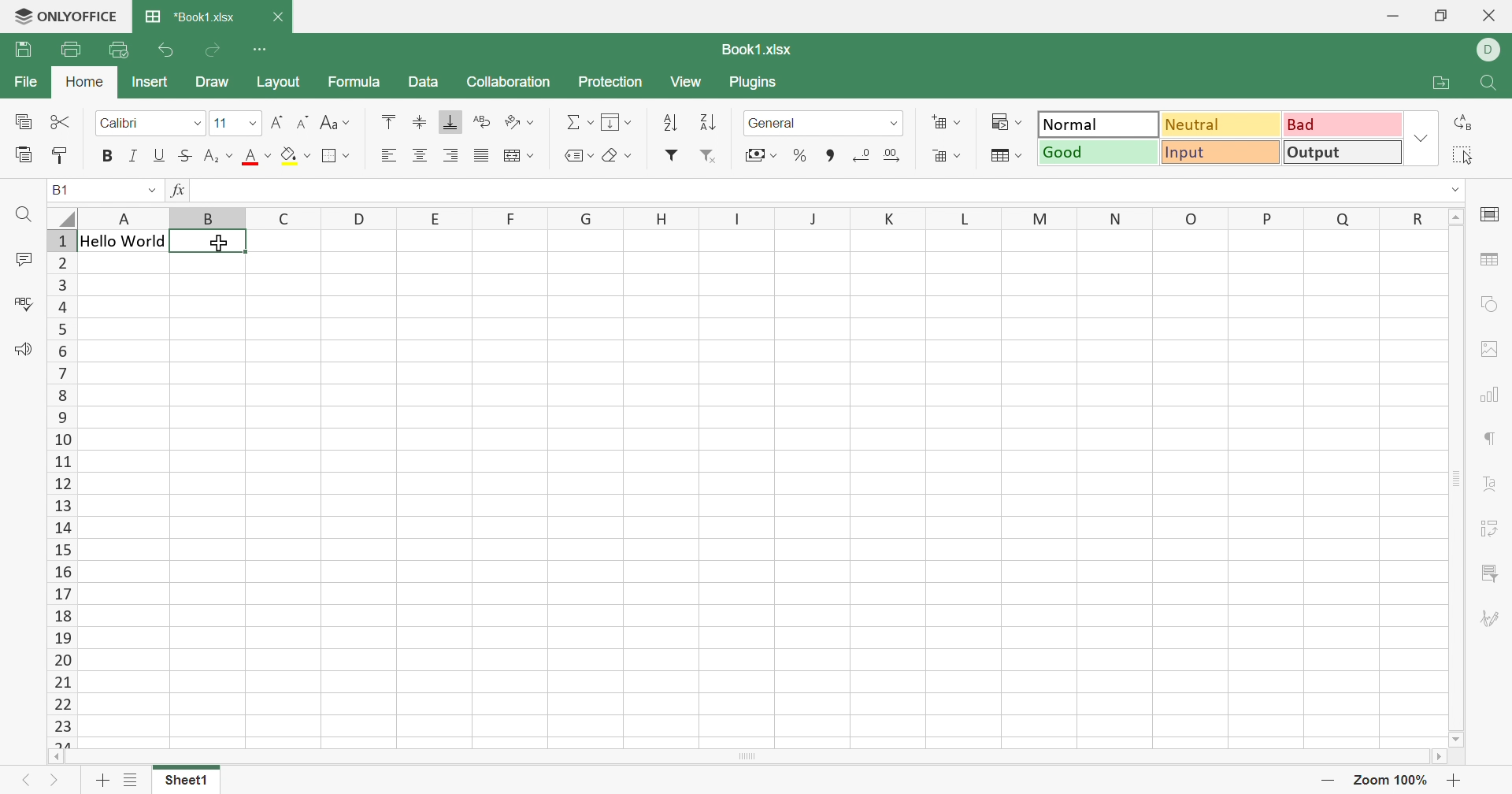  What do you see at coordinates (1492, 483) in the screenshot?
I see `Text art settings` at bounding box center [1492, 483].